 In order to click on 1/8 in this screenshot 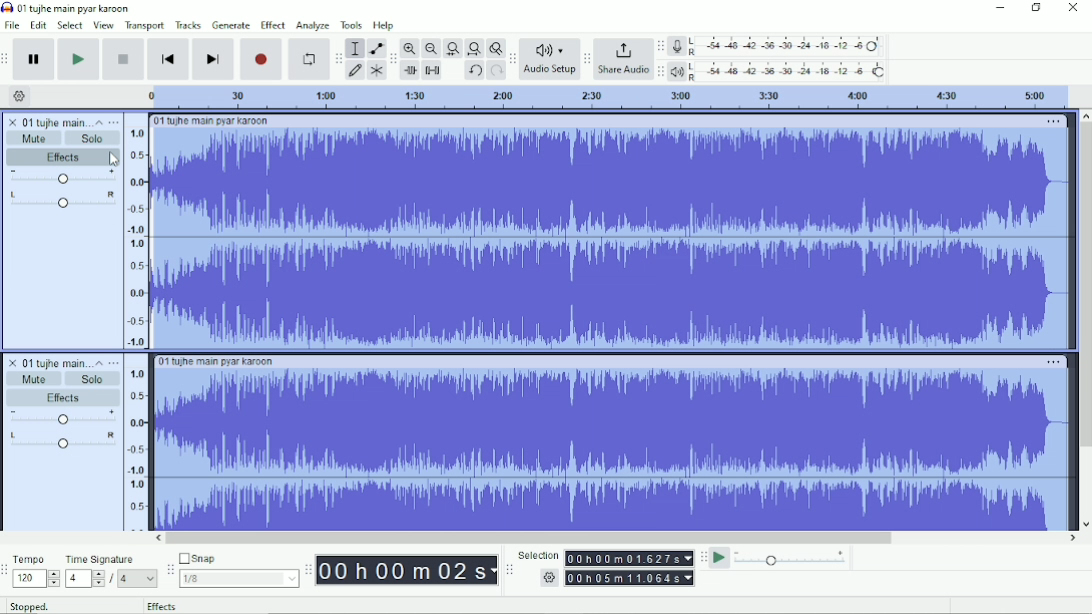, I will do `click(239, 578)`.